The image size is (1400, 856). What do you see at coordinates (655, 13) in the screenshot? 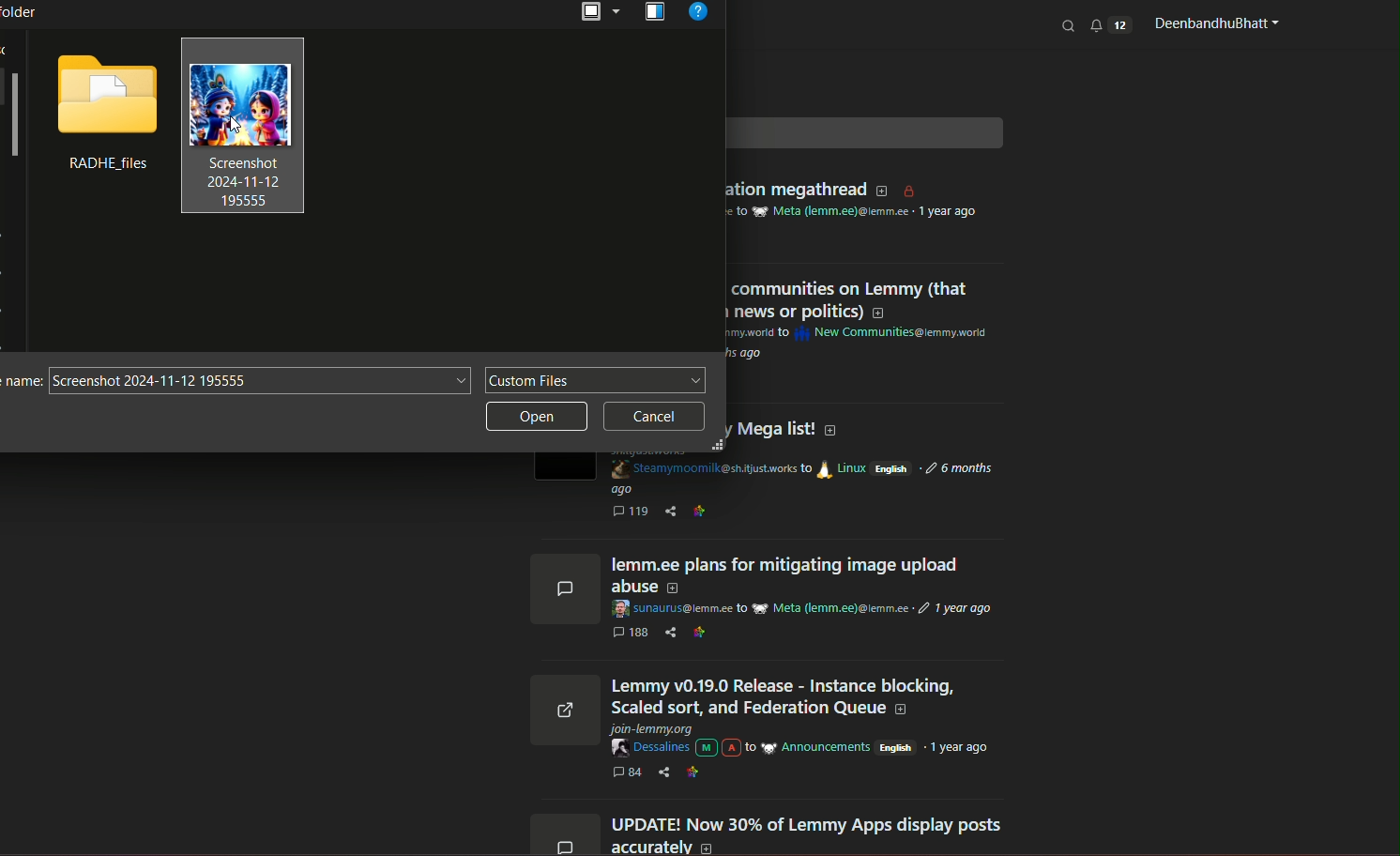
I see `visual` at bounding box center [655, 13].